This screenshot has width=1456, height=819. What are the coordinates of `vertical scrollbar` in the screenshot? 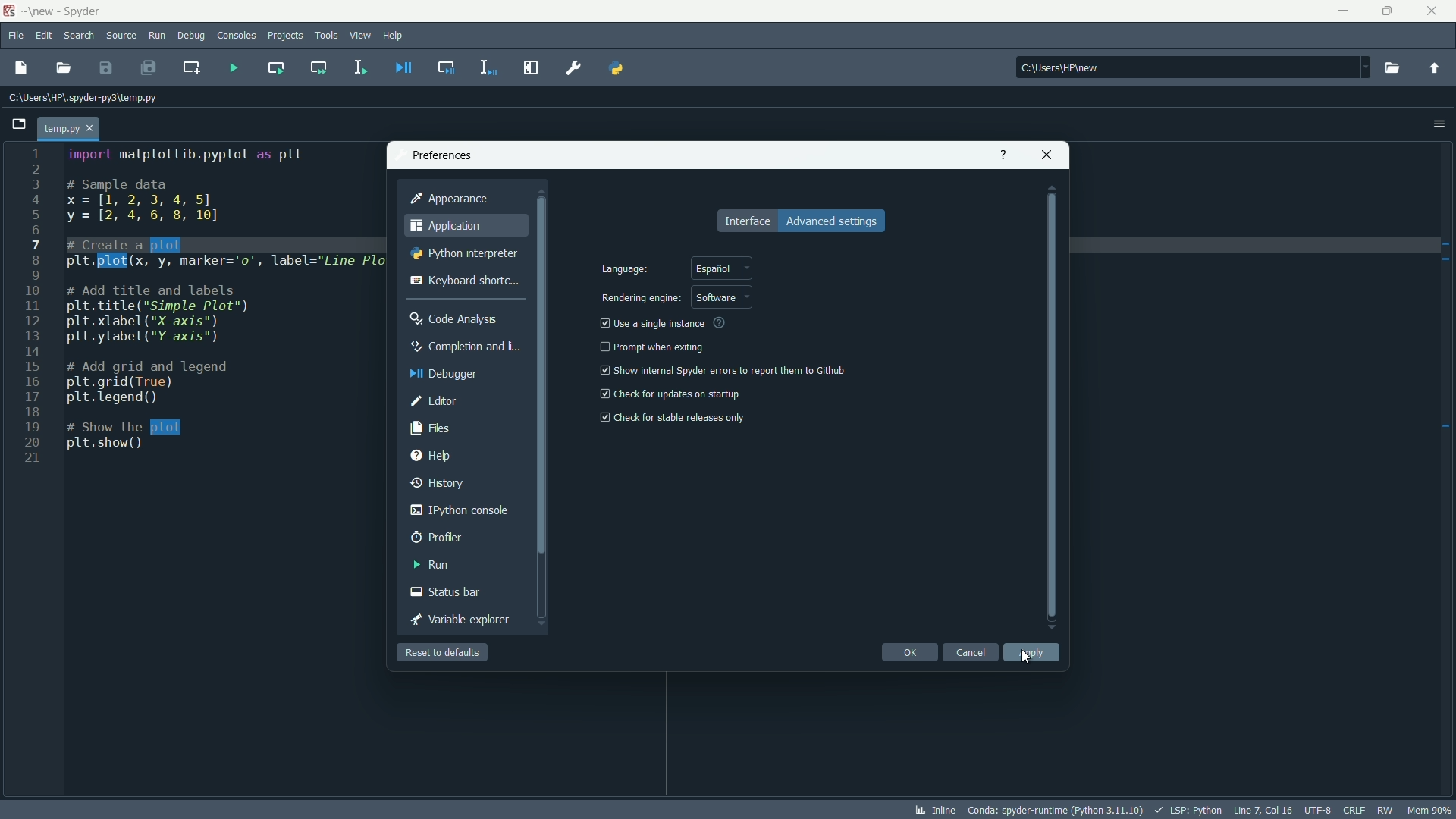 It's located at (543, 410).